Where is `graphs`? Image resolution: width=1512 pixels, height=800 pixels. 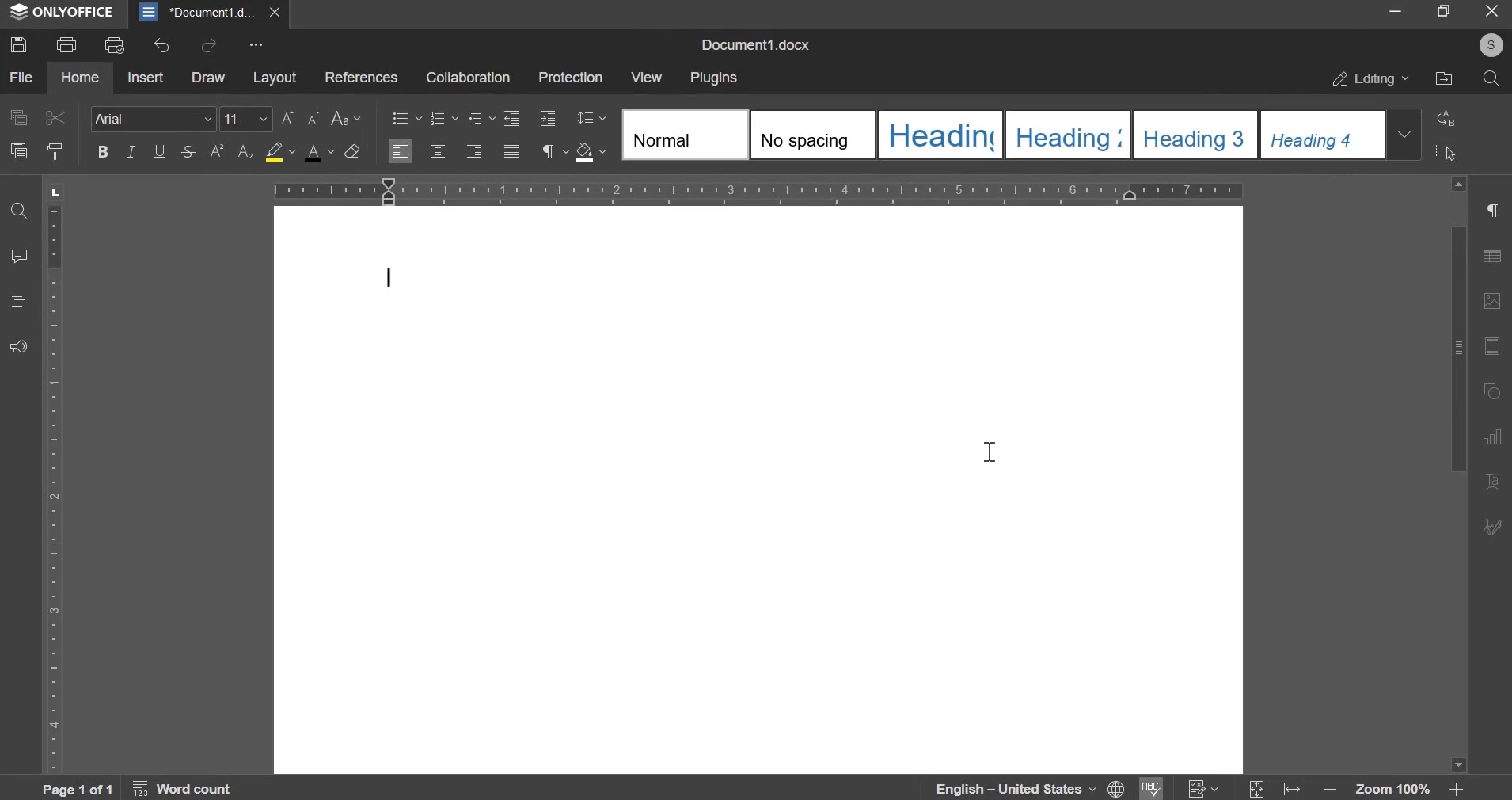 graphs is located at coordinates (1494, 438).